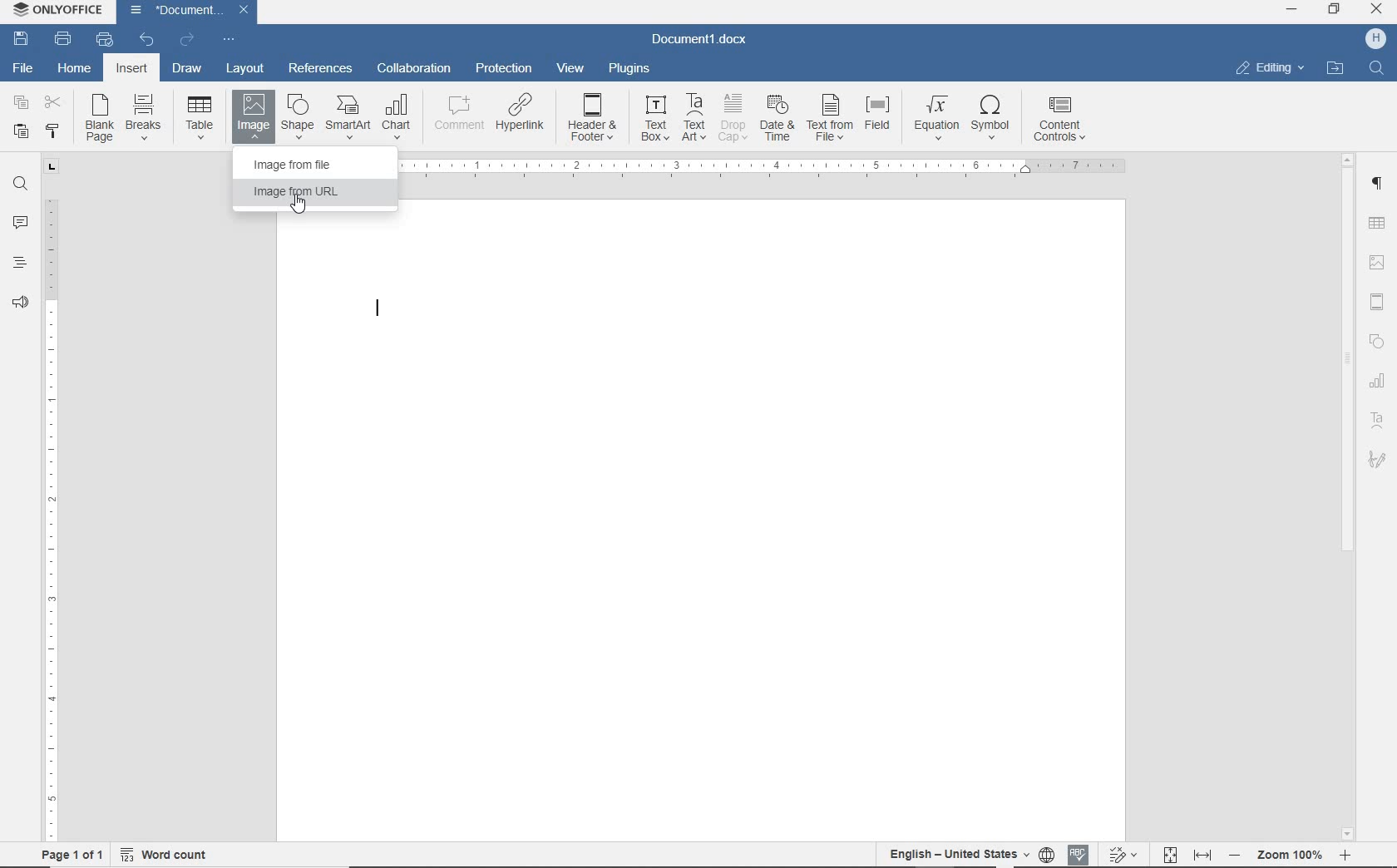  I want to click on breaks, so click(141, 120).